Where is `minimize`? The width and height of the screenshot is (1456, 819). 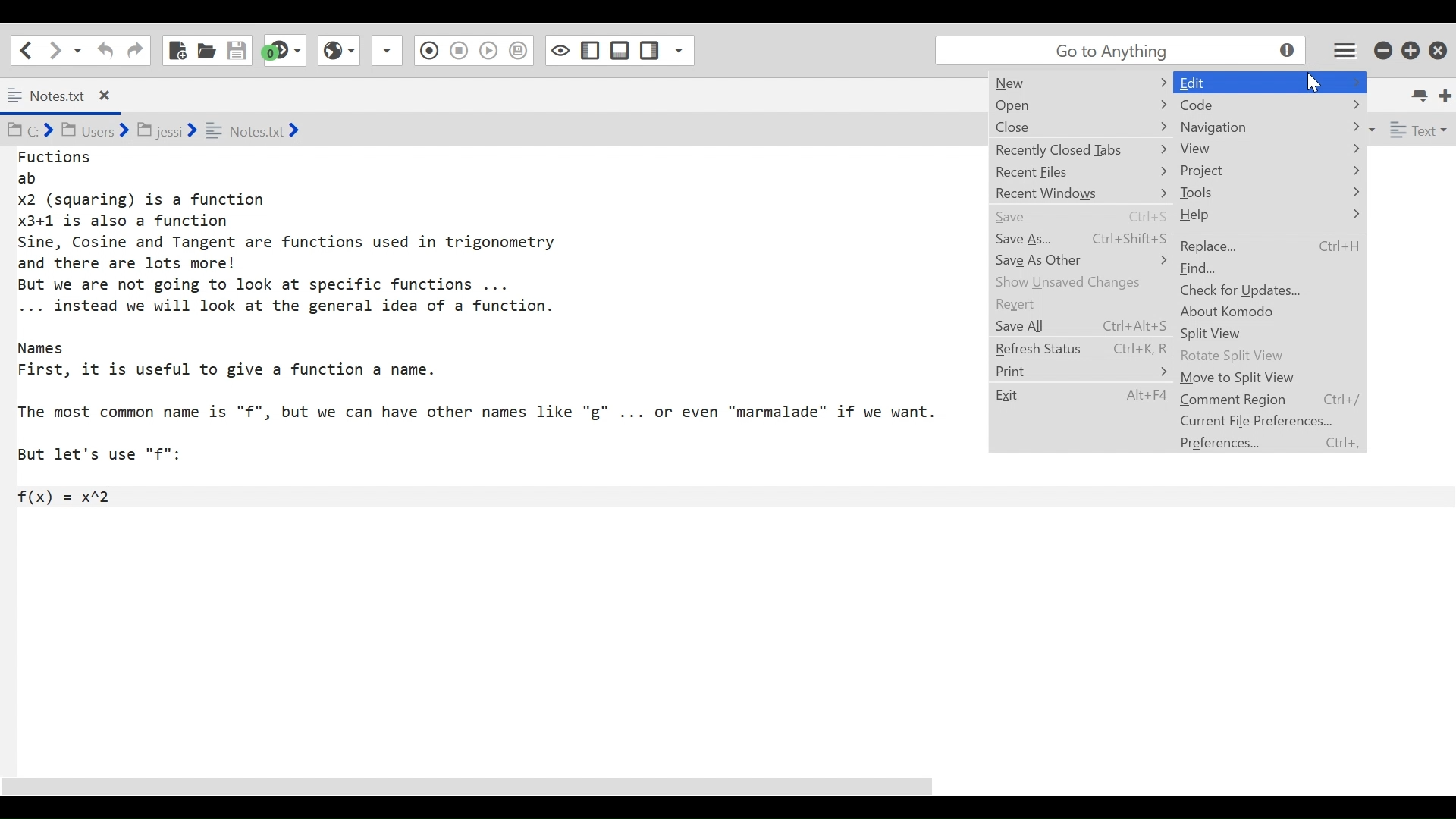 minimize is located at coordinates (1385, 49).